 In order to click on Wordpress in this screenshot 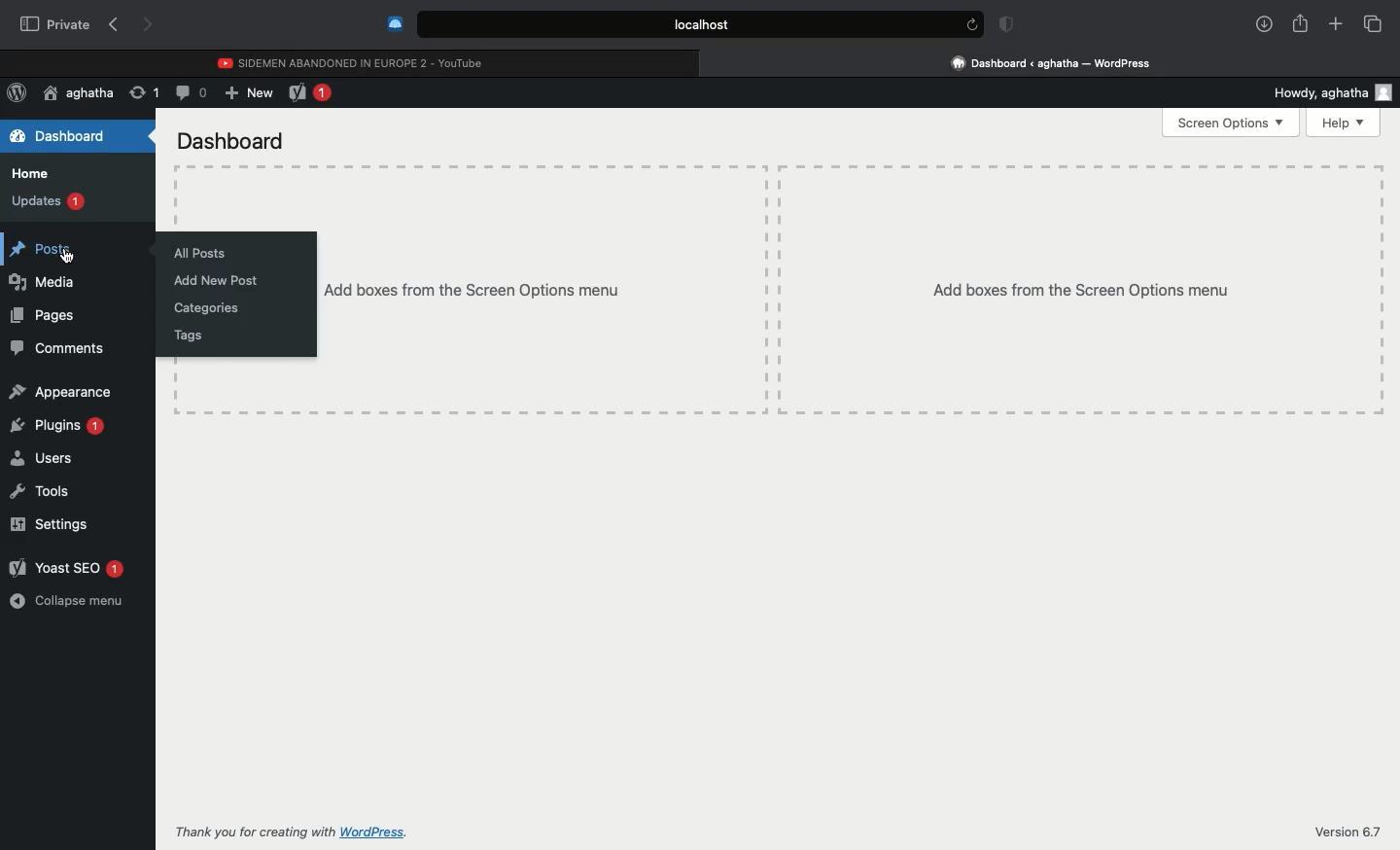, I will do `click(17, 93)`.